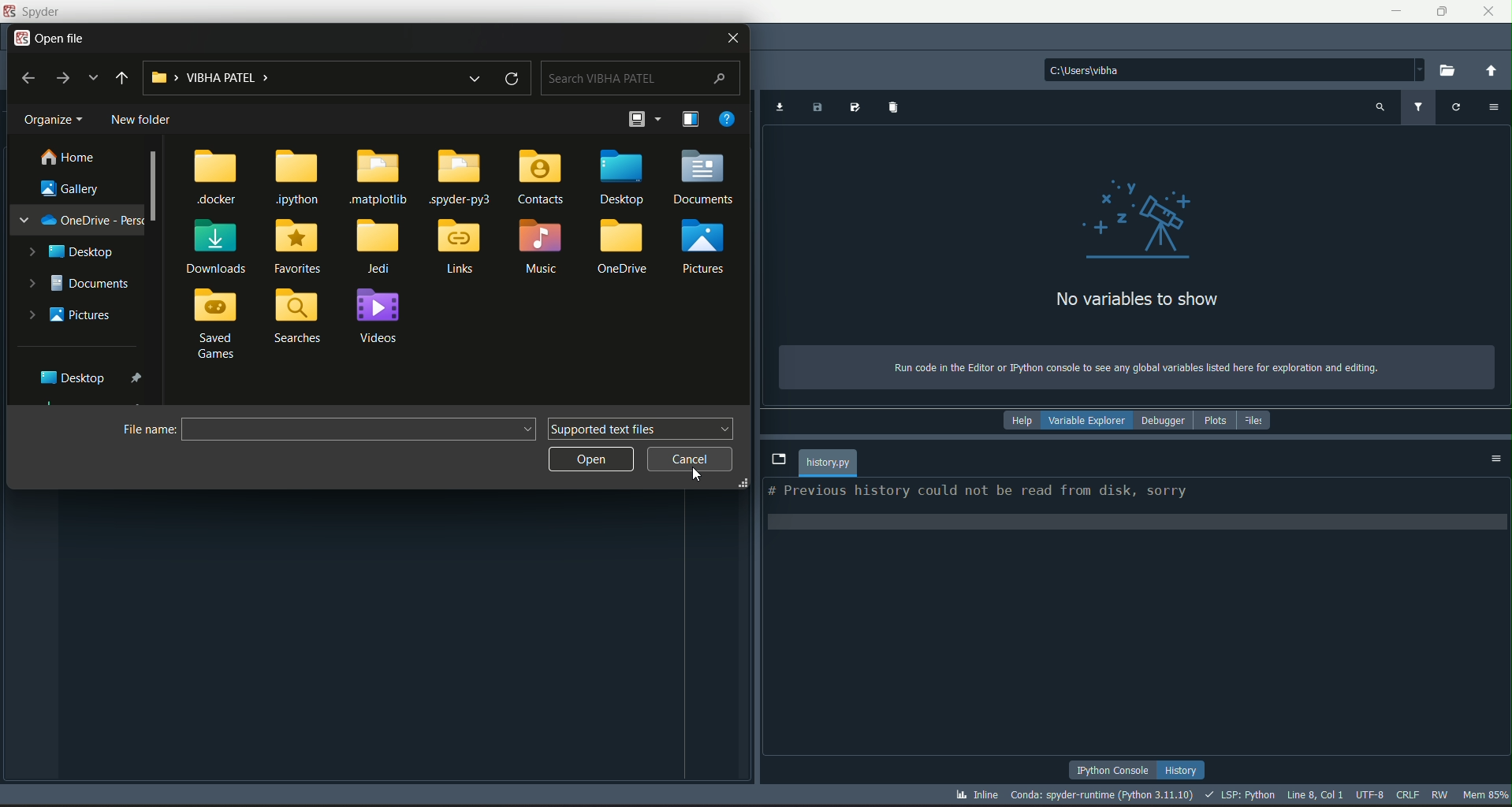 This screenshot has width=1512, height=807. Describe the element at coordinates (818, 109) in the screenshot. I see `save data` at that location.